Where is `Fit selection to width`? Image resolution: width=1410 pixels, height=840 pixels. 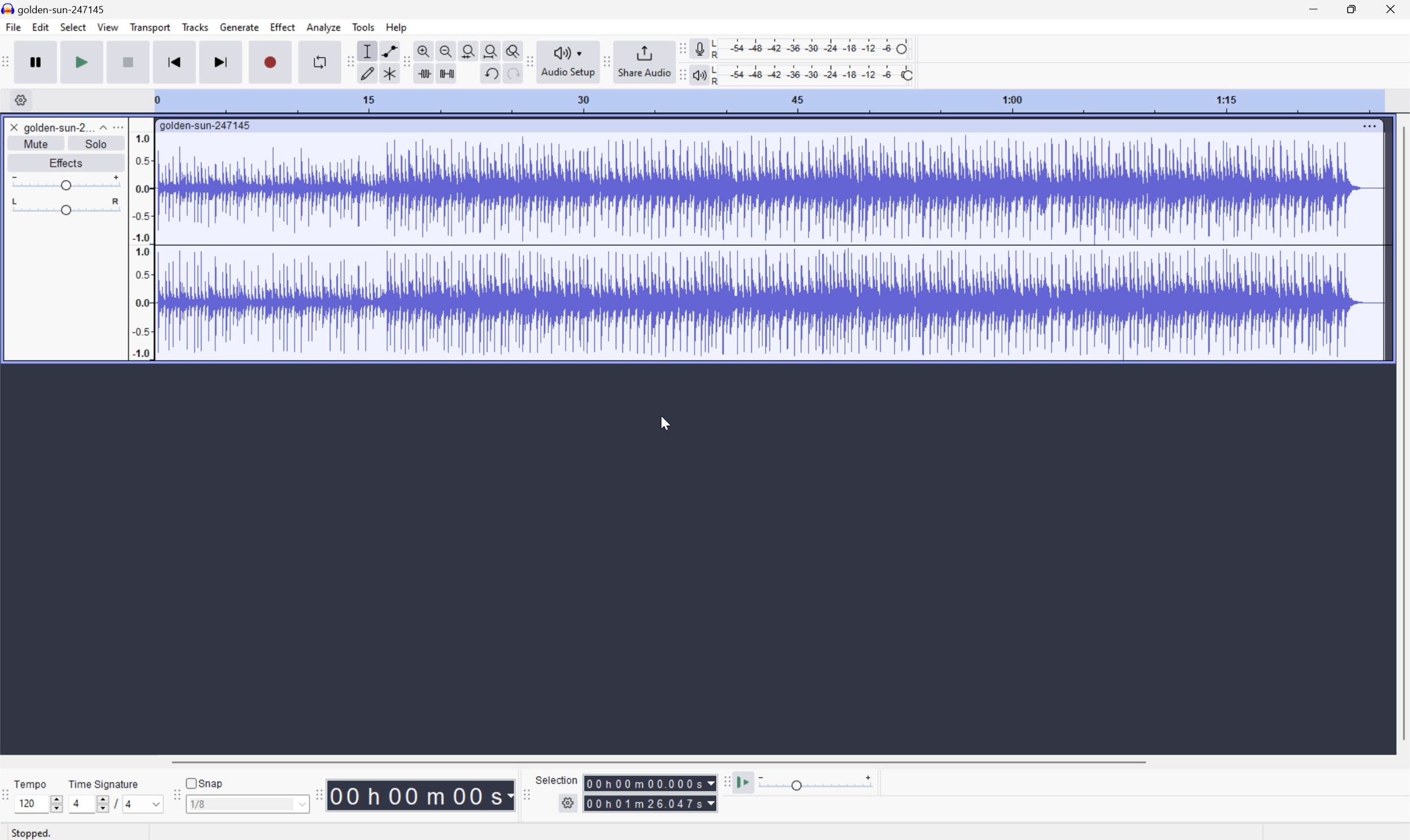
Fit selection to width is located at coordinates (467, 50).